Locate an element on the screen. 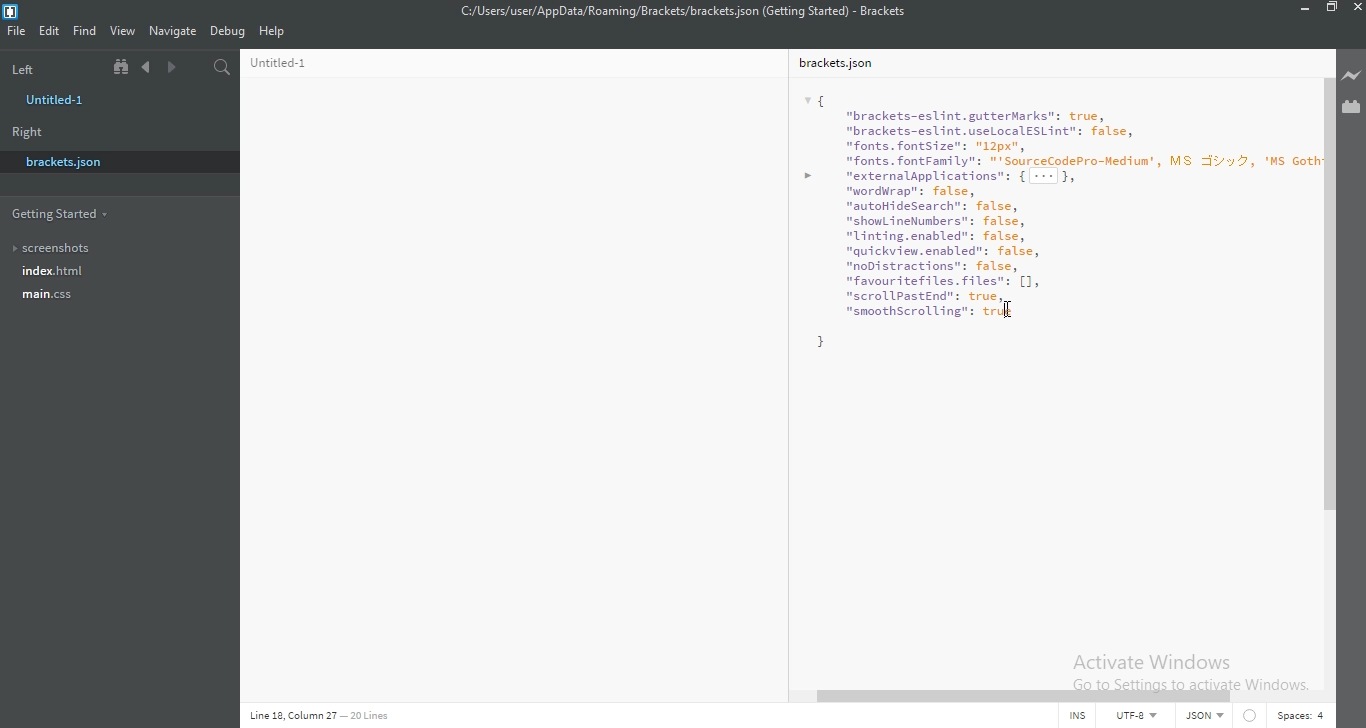 The width and height of the screenshot is (1366, 728). INS is located at coordinates (1073, 717).